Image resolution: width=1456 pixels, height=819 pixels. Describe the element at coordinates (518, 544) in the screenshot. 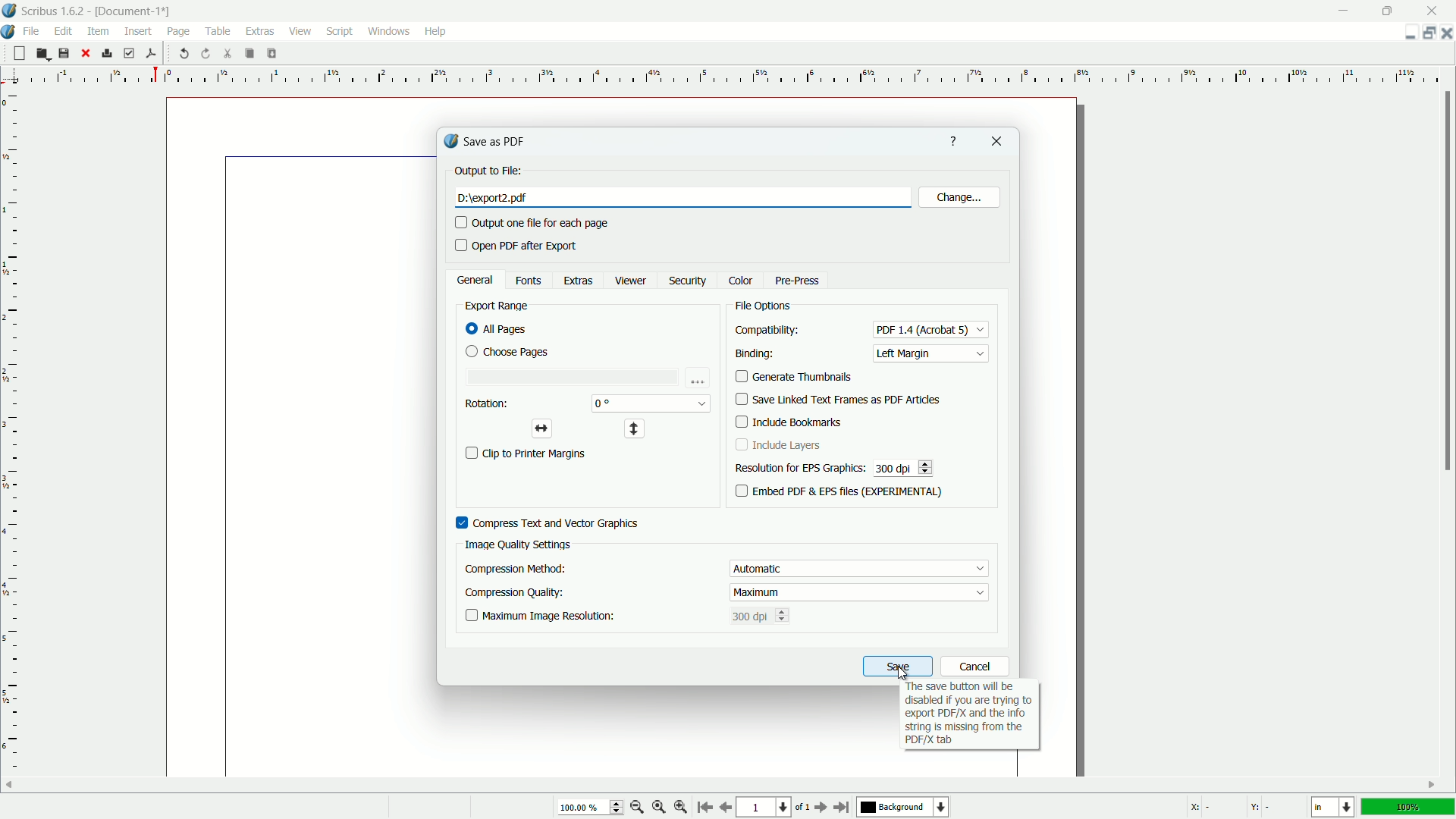

I see `image quality settings` at that location.